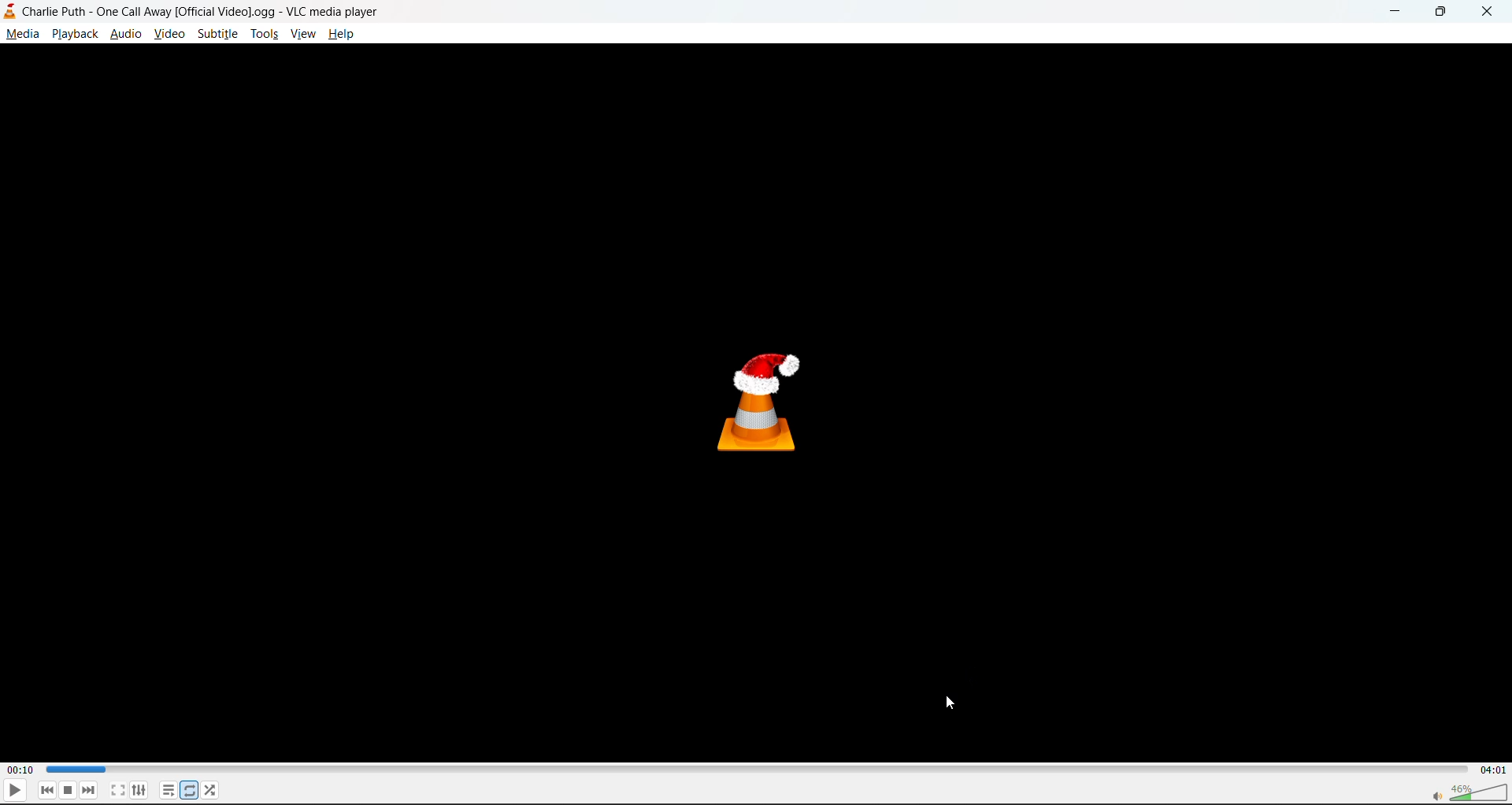  Describe the element at coordinates (70, 791) in the screenshot. I see `stop` at that location.